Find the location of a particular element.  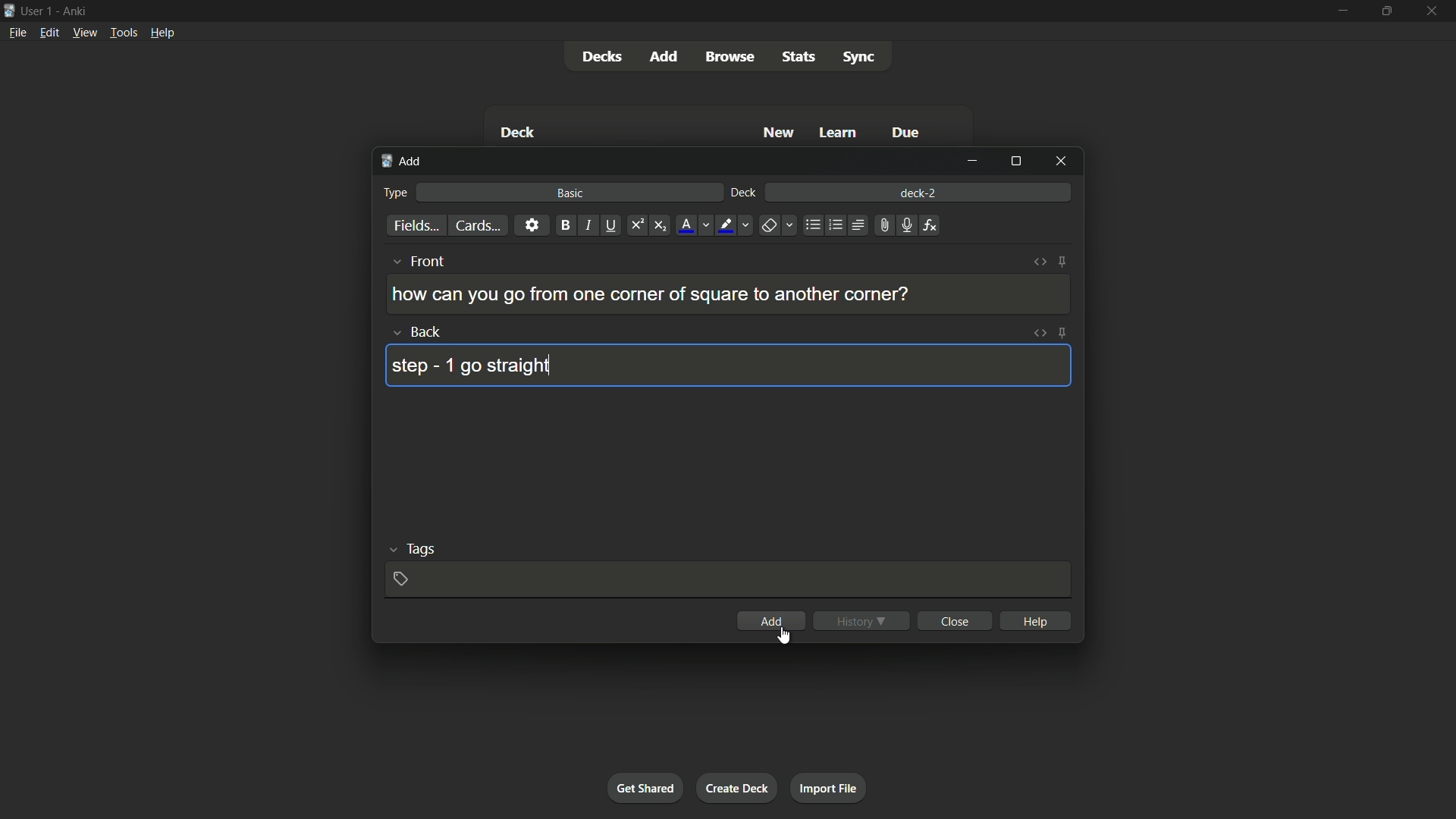

cursor is located at coordinates (784, 638).